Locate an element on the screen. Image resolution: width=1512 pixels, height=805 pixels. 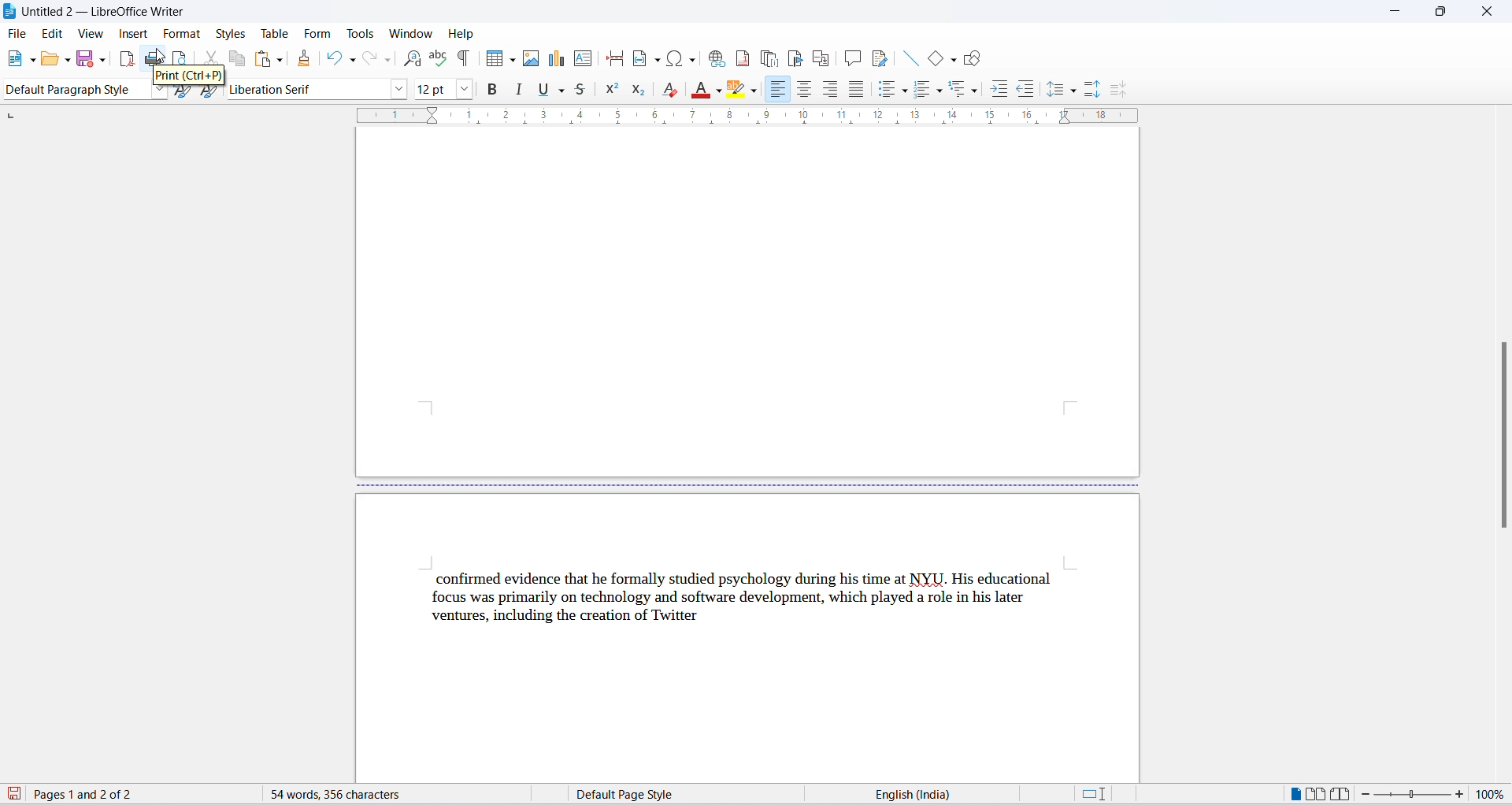
toggle unordered list is located at coordinates (885, 91).